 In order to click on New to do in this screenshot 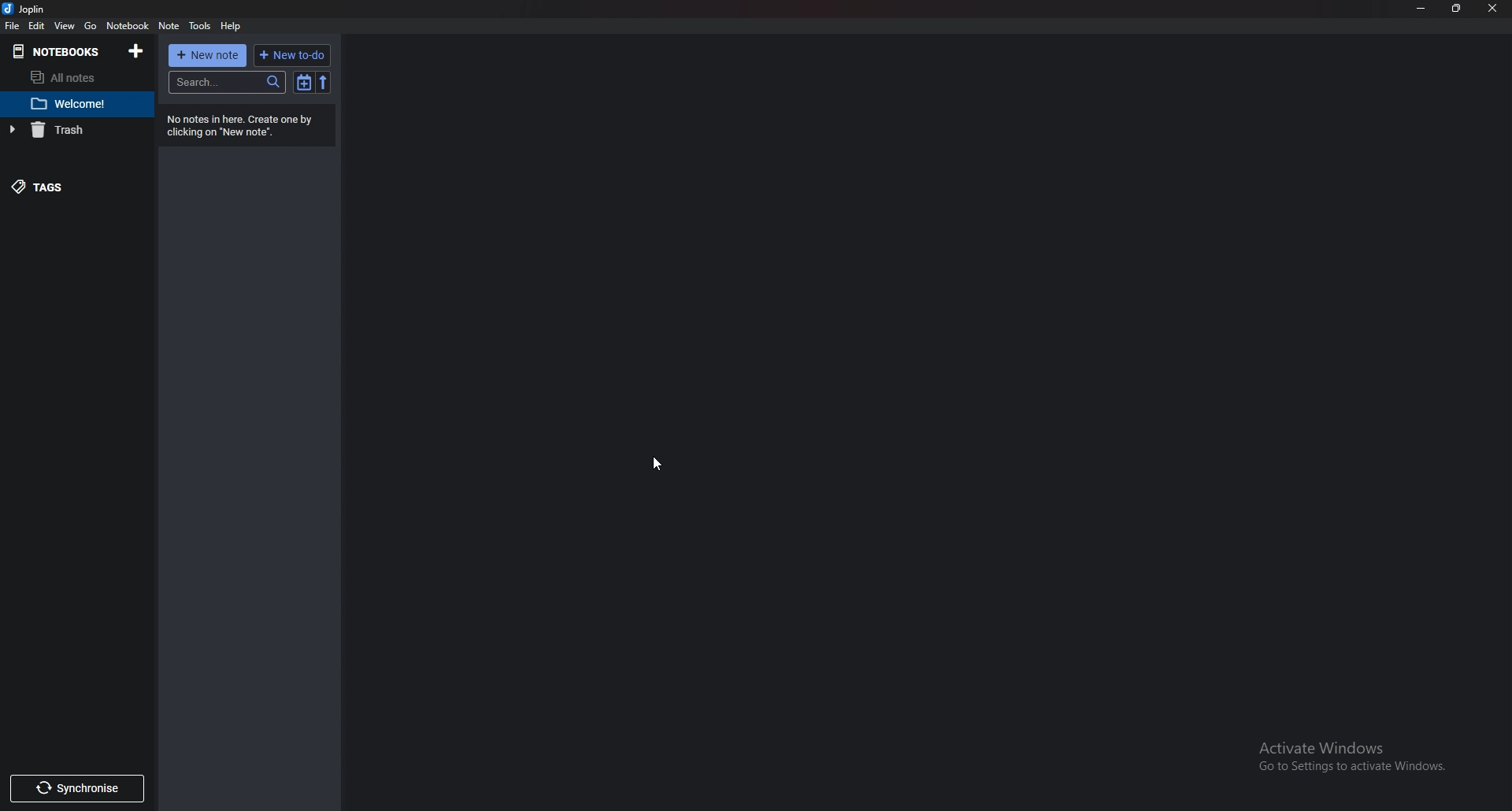, I will do `click(292, 55)`.